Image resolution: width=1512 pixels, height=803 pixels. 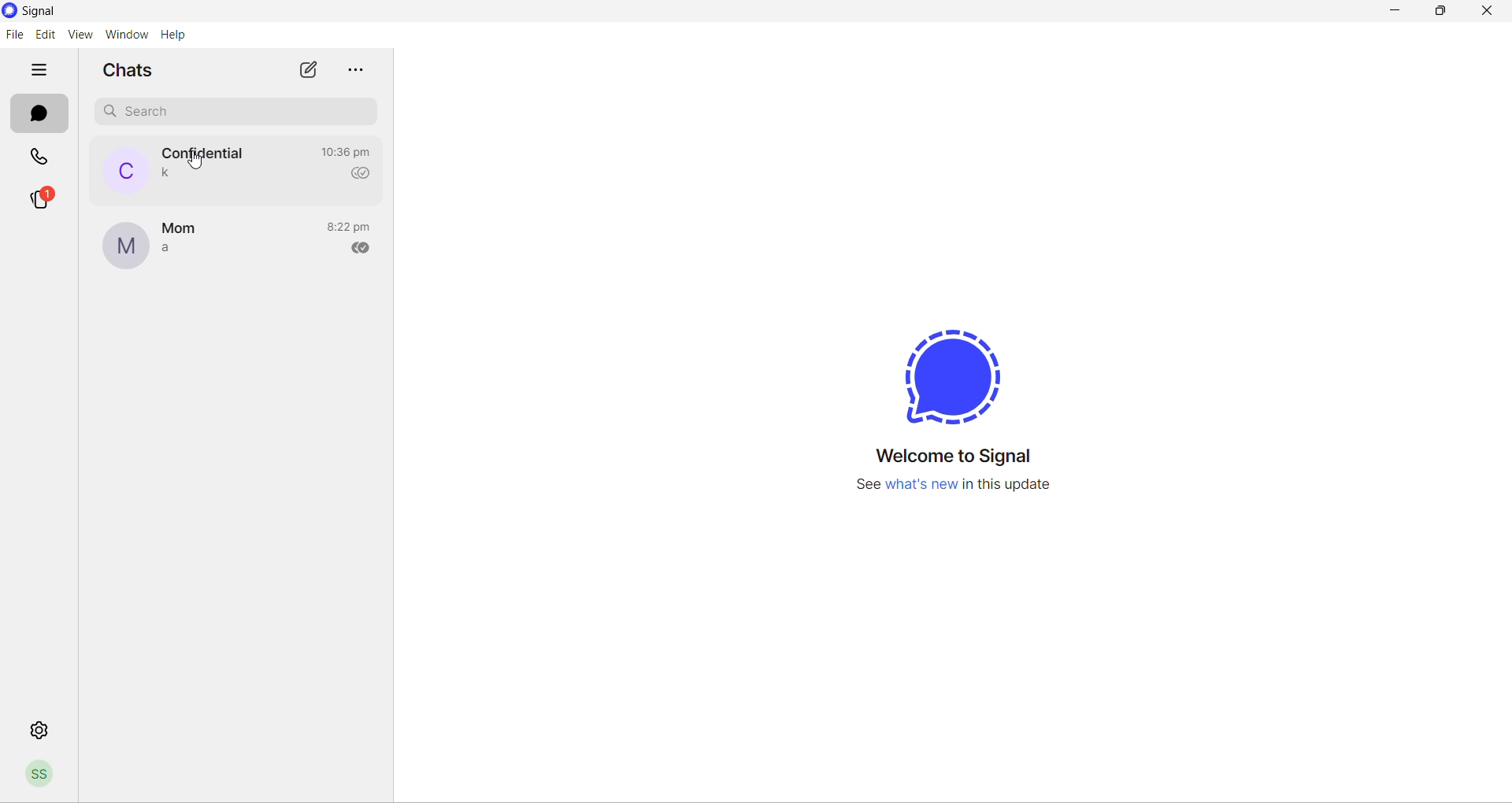 What do you see at coordinates (126, 35) in the screenshot?
I see `Window` at bounding box center [126, 35].